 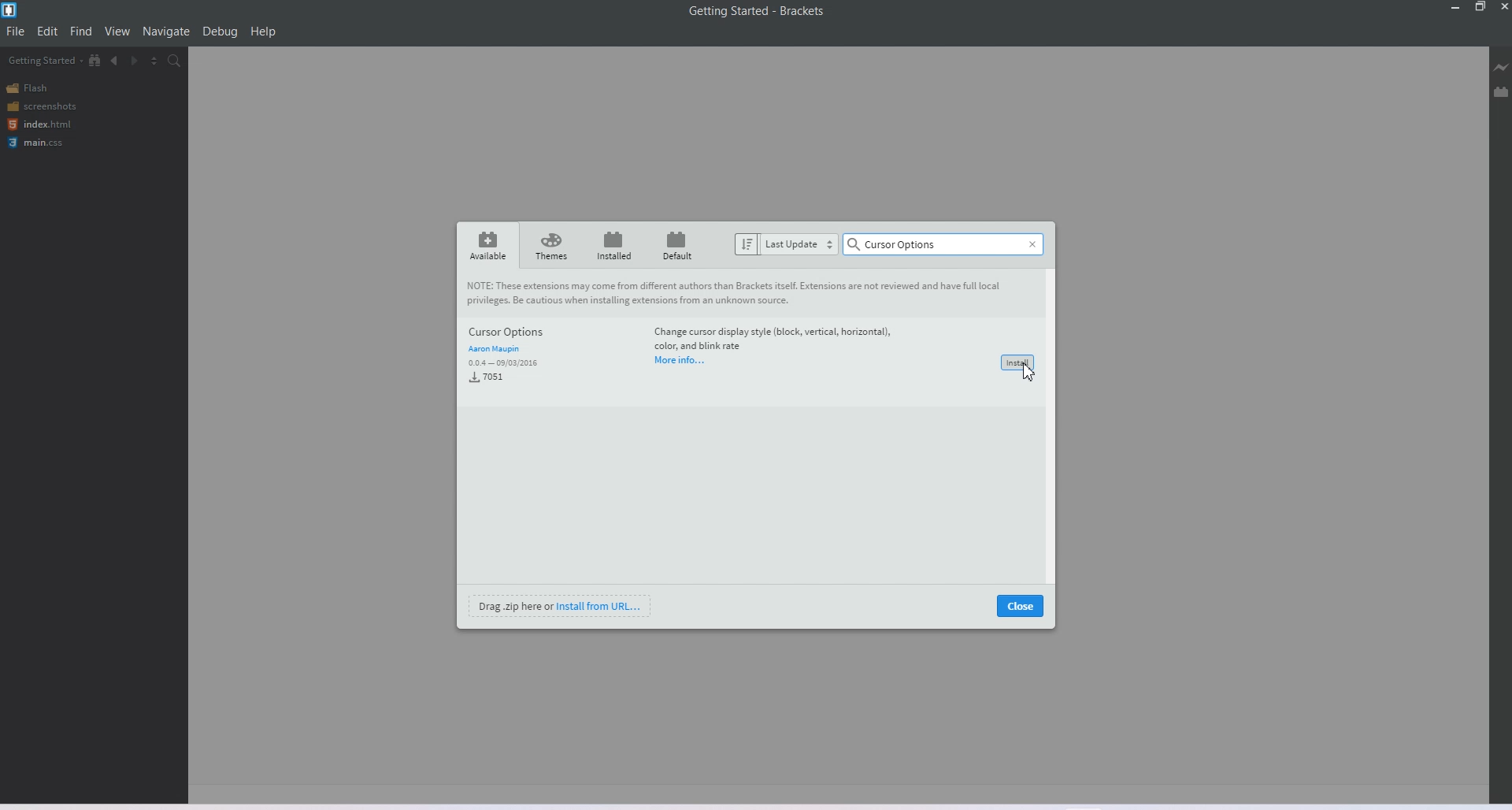 I want to click on more info, so click(x=680, y=362).